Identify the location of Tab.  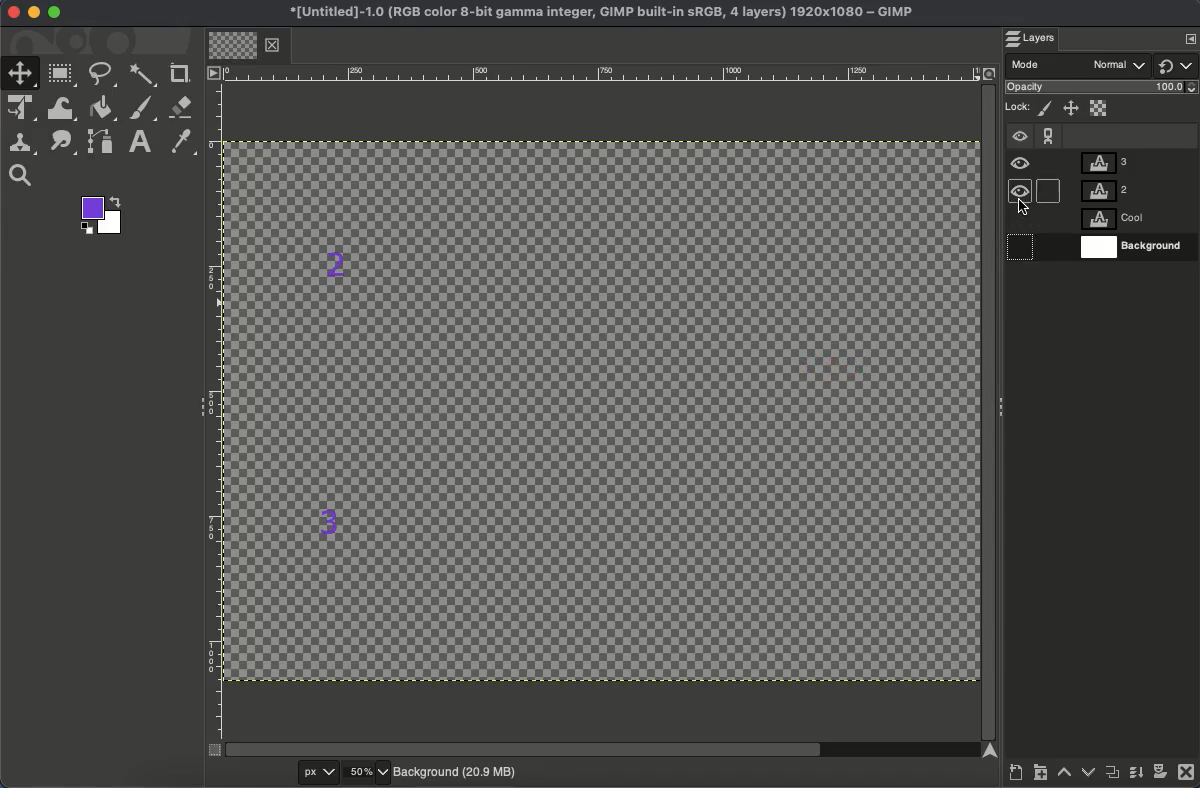
(243, 46).